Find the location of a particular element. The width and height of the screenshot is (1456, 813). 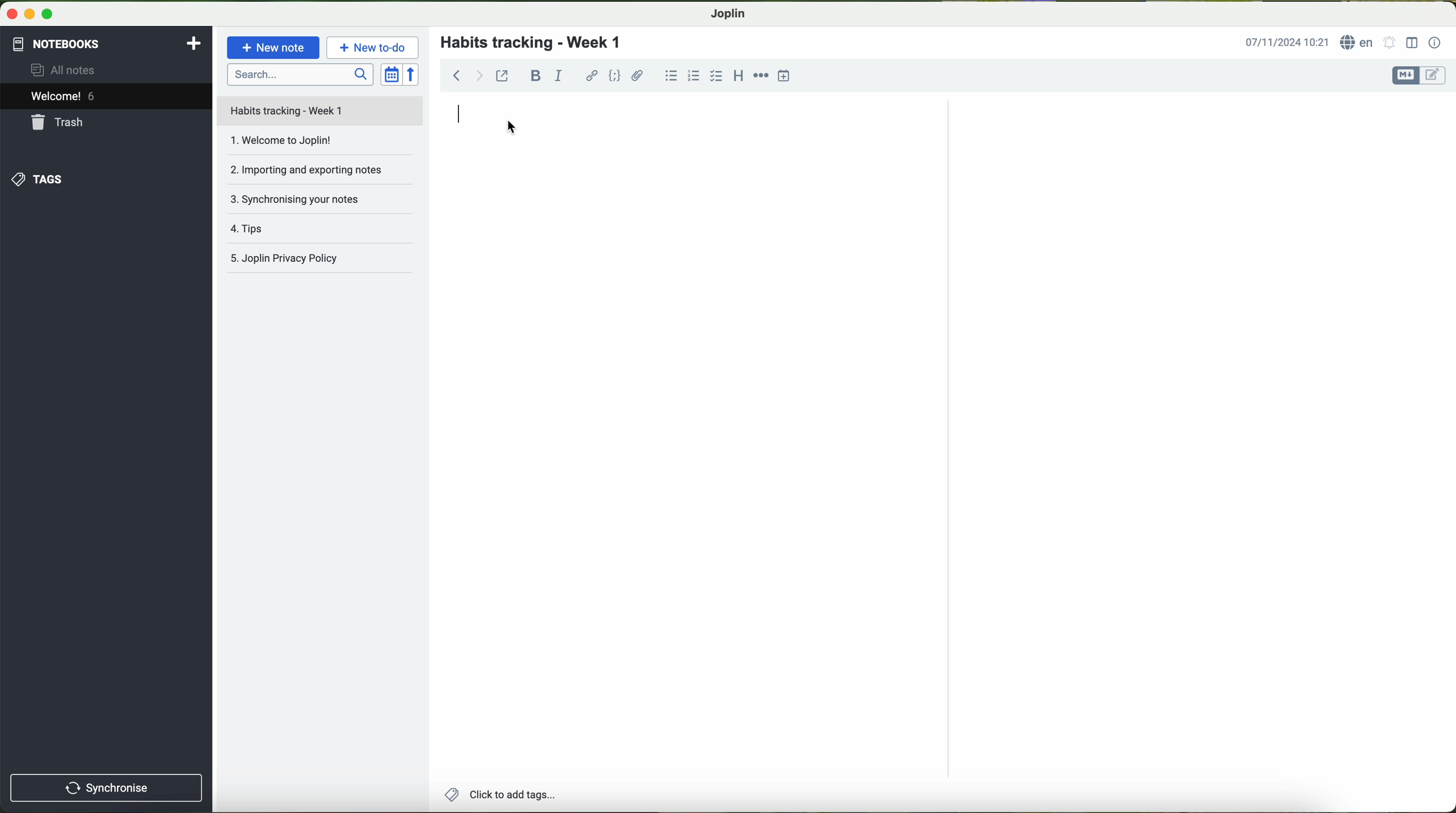

welcome to Joplin is located at coordinates (319, 145).